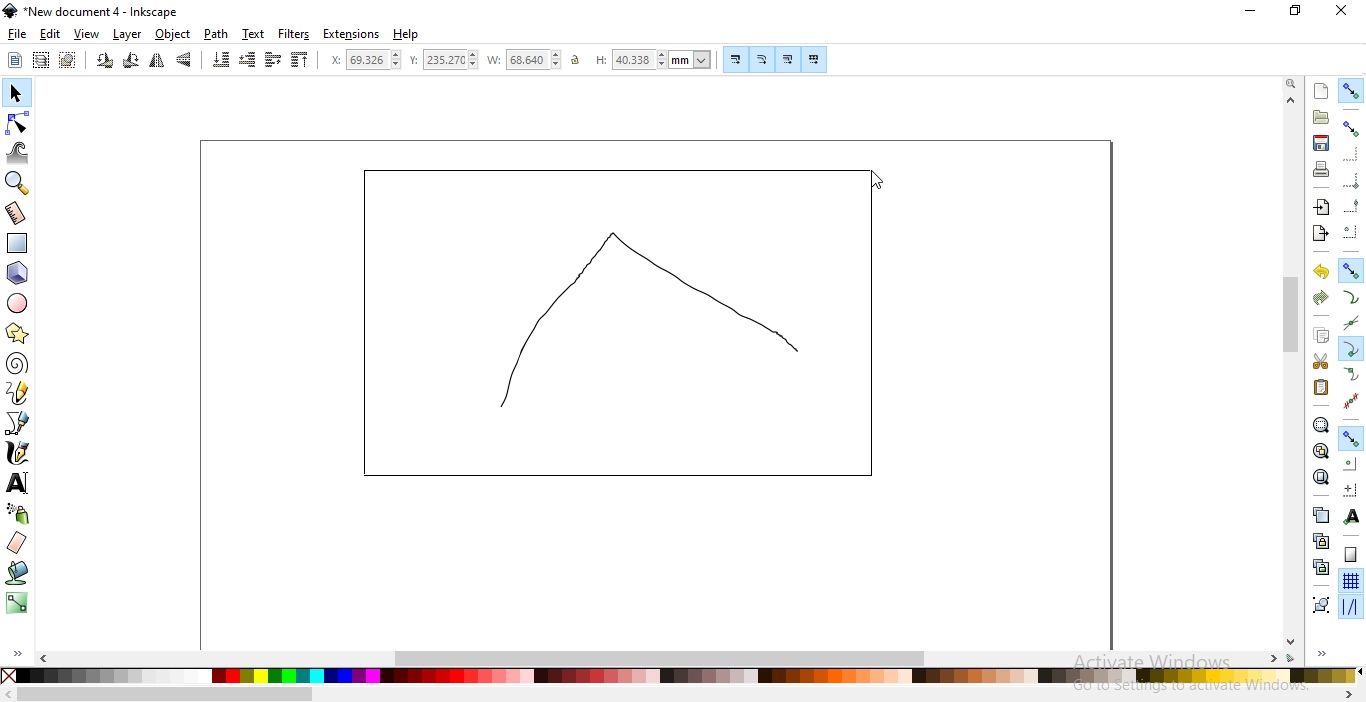 The image size is (1366, 702). Describe the element at coordinates (1349, 269) in the screenshot. I see `snap nodes, paths and handles` at that location.